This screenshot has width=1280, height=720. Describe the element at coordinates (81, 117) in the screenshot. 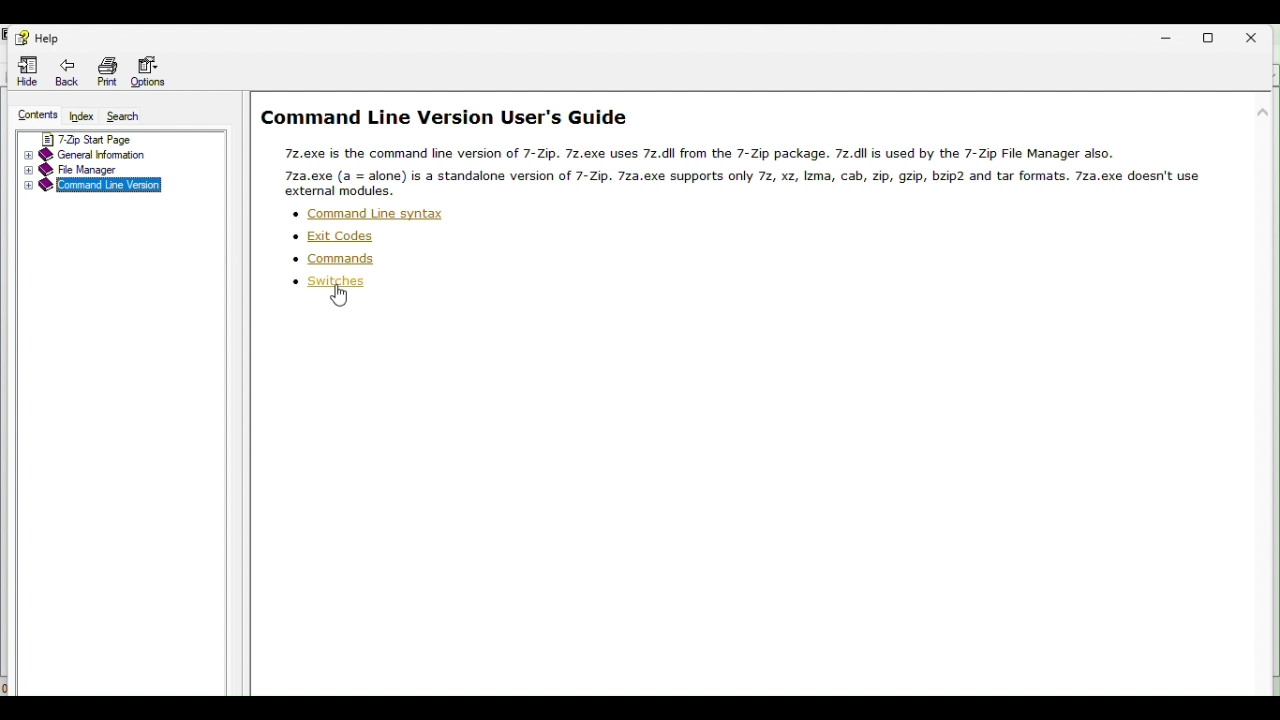

I see `Index` at that location.